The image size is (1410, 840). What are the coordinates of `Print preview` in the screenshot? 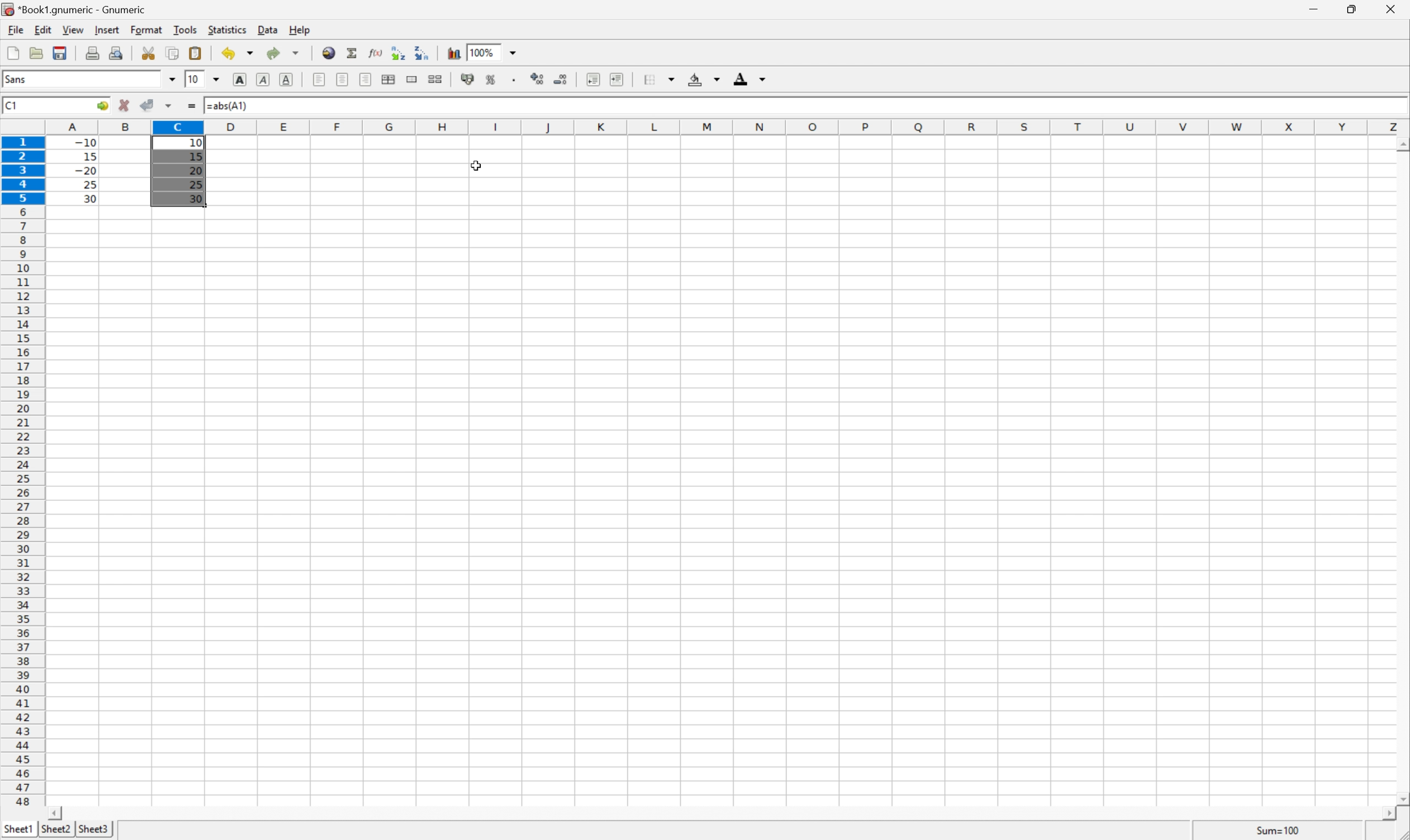 It's located at (118, 52).